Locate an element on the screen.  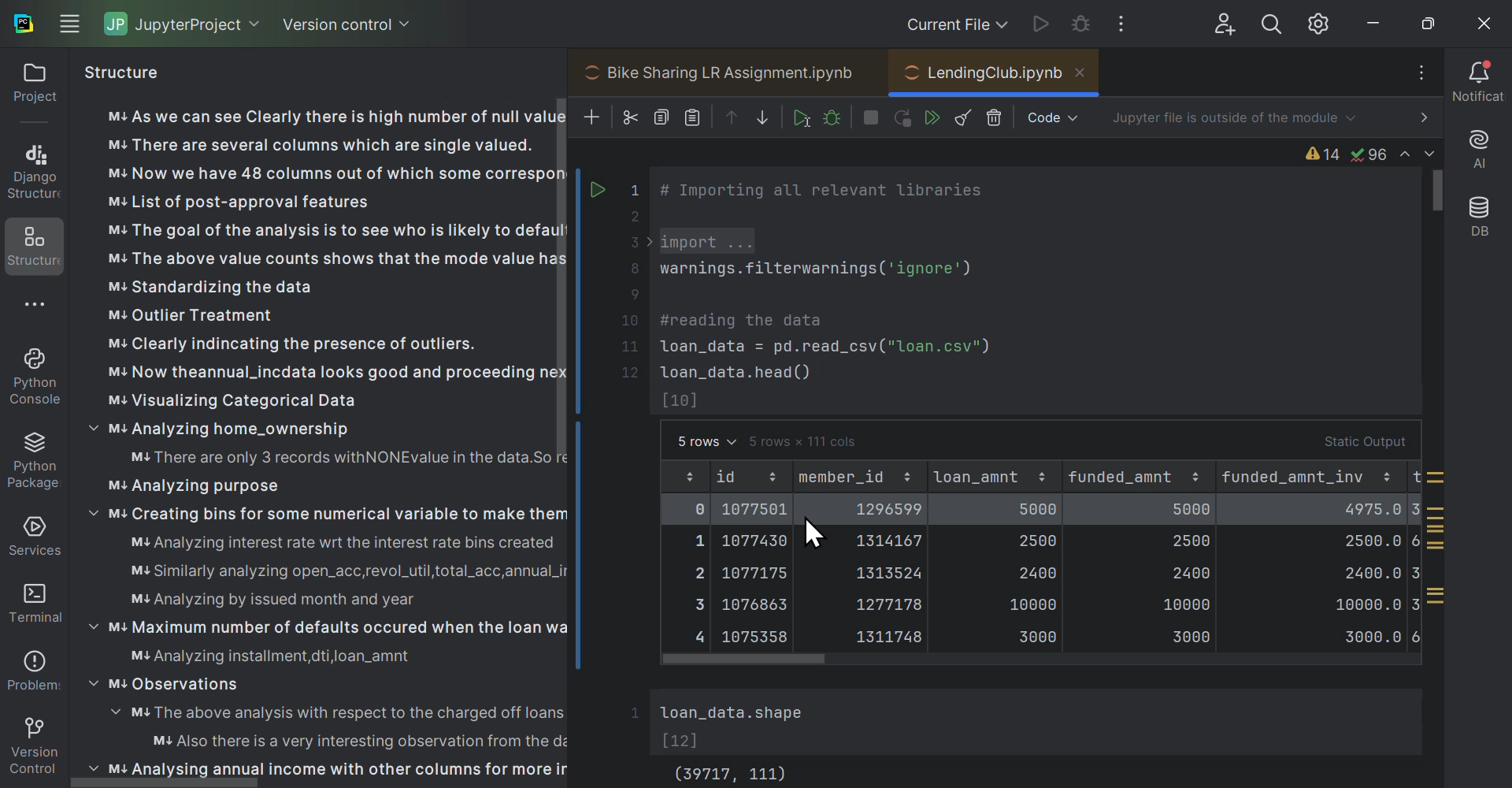
Add is located at coordinates (598, 121).